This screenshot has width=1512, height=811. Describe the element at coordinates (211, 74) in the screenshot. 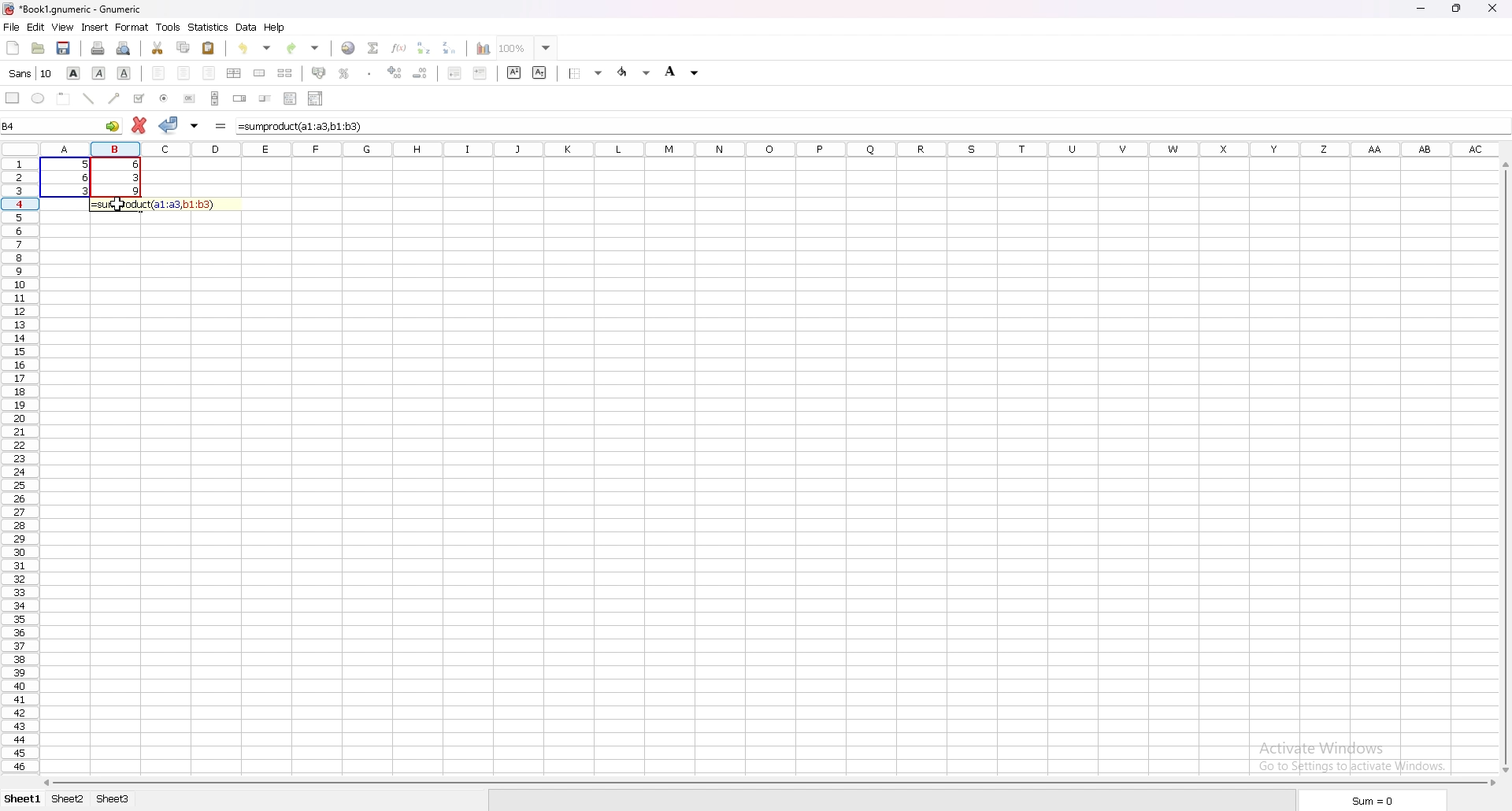

I see `align right` at that location.